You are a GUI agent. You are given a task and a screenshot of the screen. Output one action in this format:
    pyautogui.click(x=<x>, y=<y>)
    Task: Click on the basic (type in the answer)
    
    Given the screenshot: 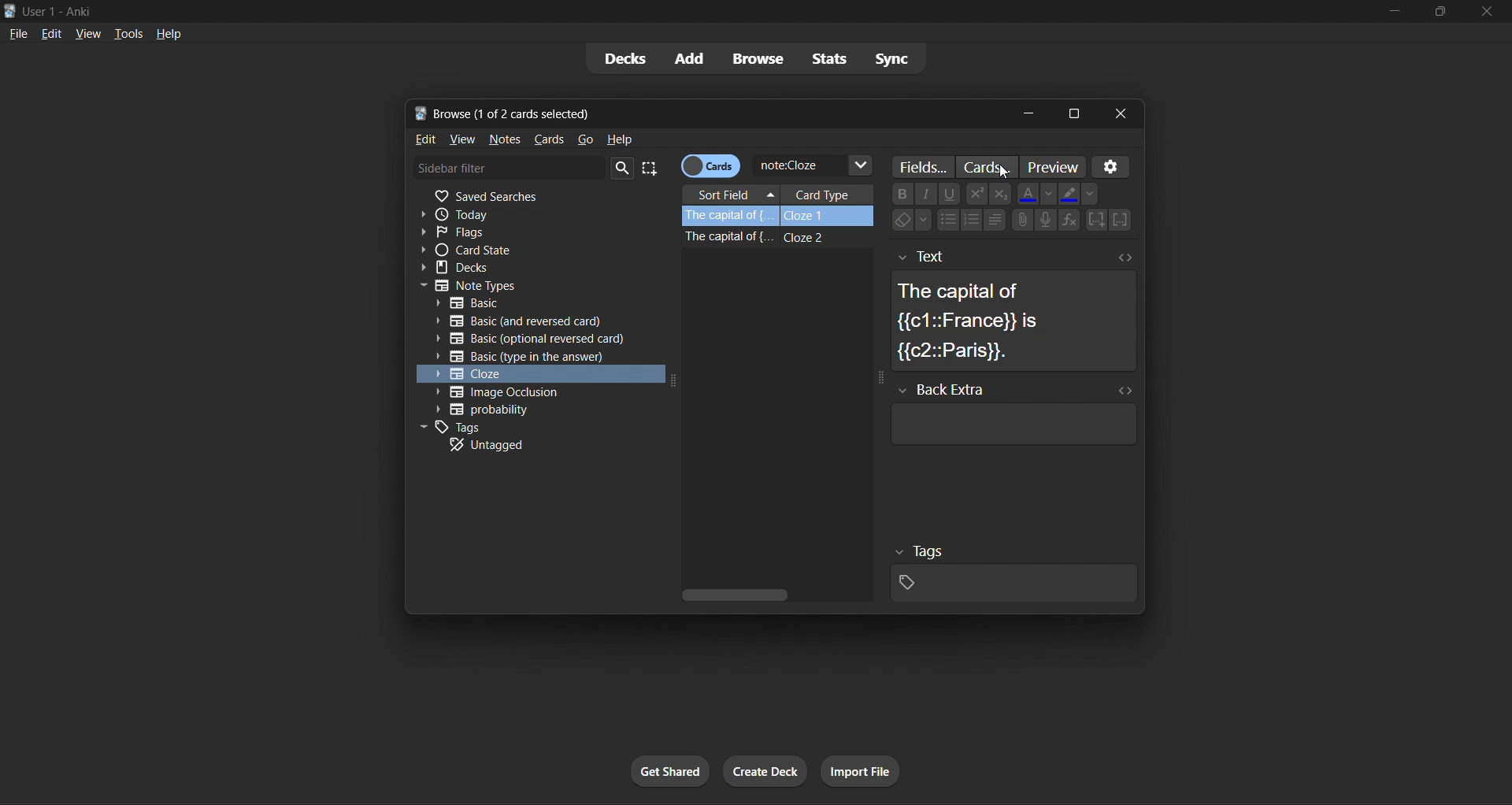 What is the action you would take?
    pyautogui.click(x=521, y=358)
    